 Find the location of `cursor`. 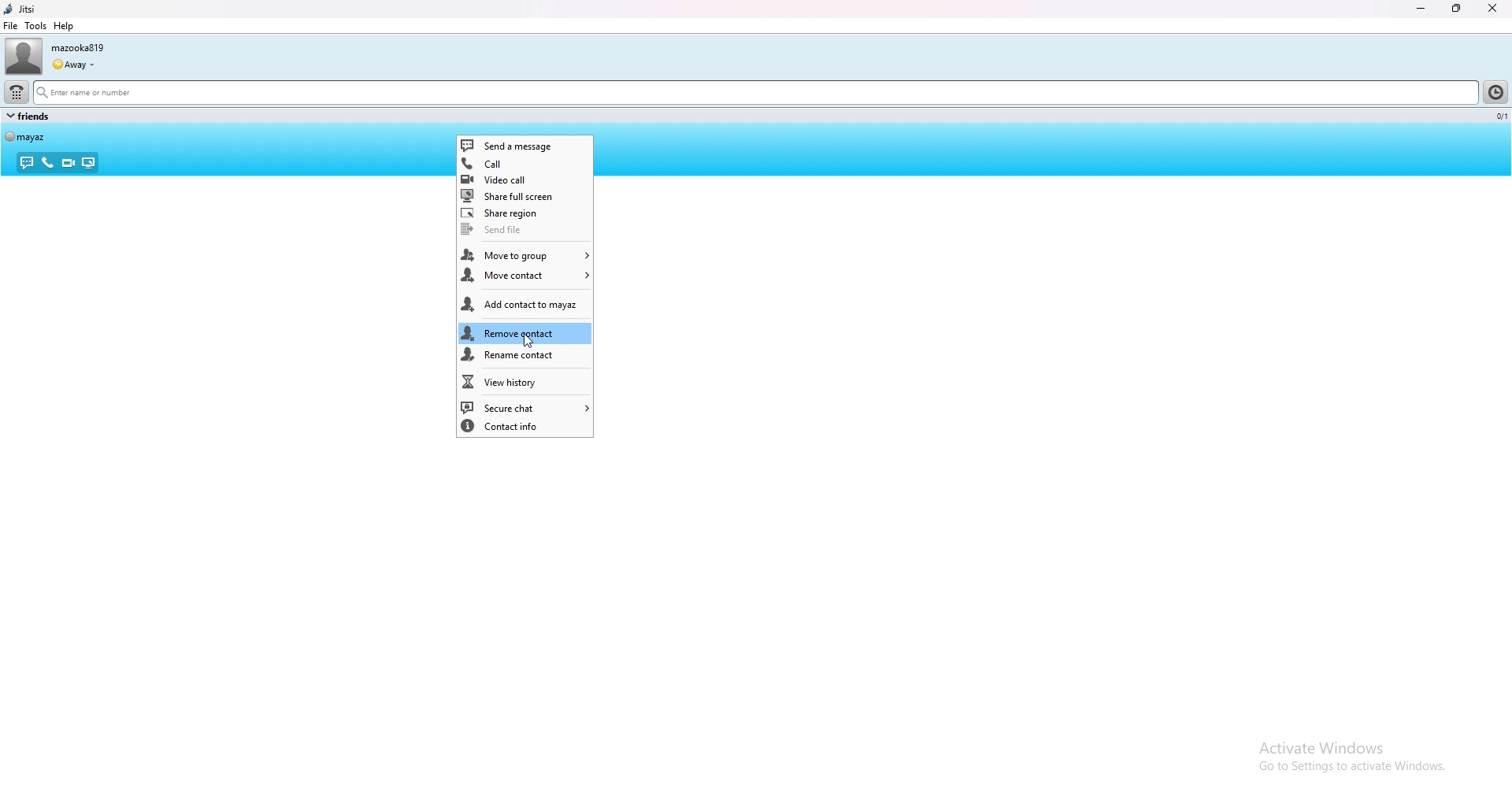

cursor is located at coordinates (528, 343).